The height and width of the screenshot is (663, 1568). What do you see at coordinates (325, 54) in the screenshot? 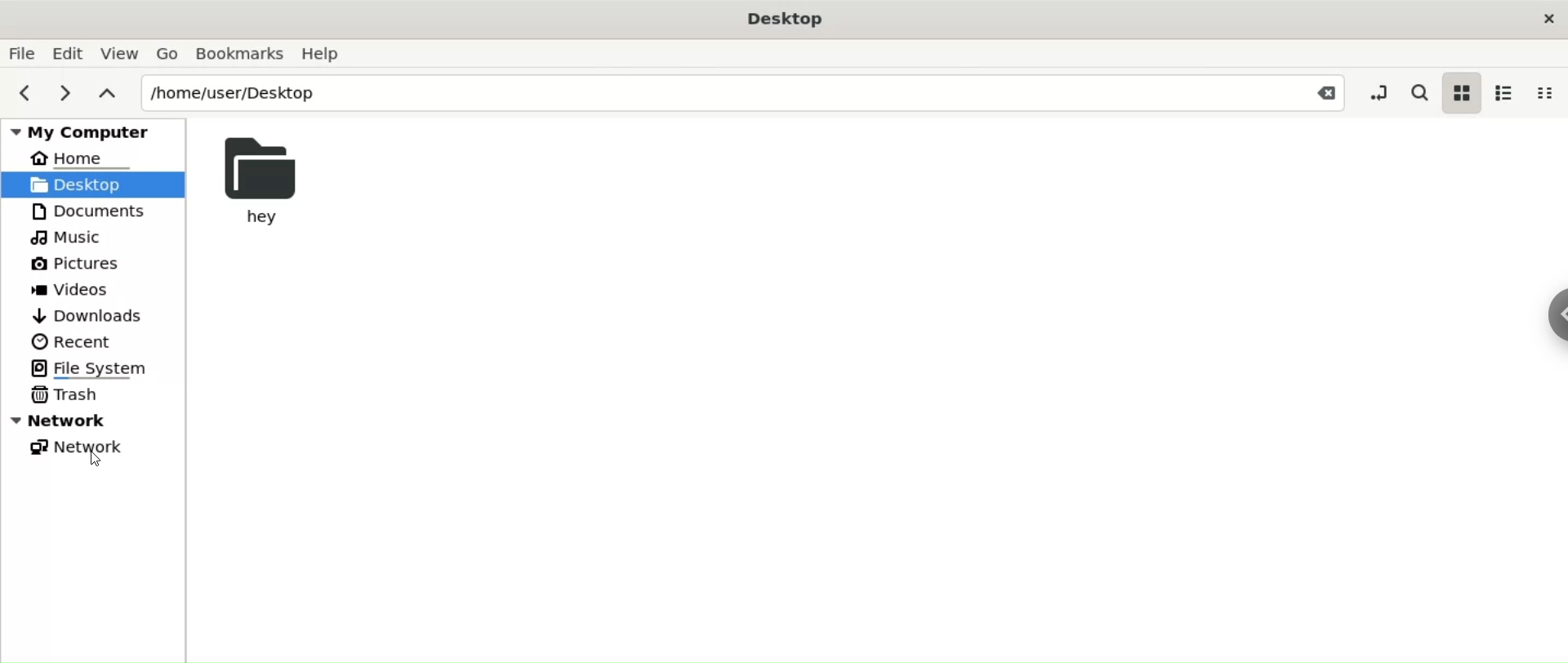
I see `Help` at bounding box center [325, 54].